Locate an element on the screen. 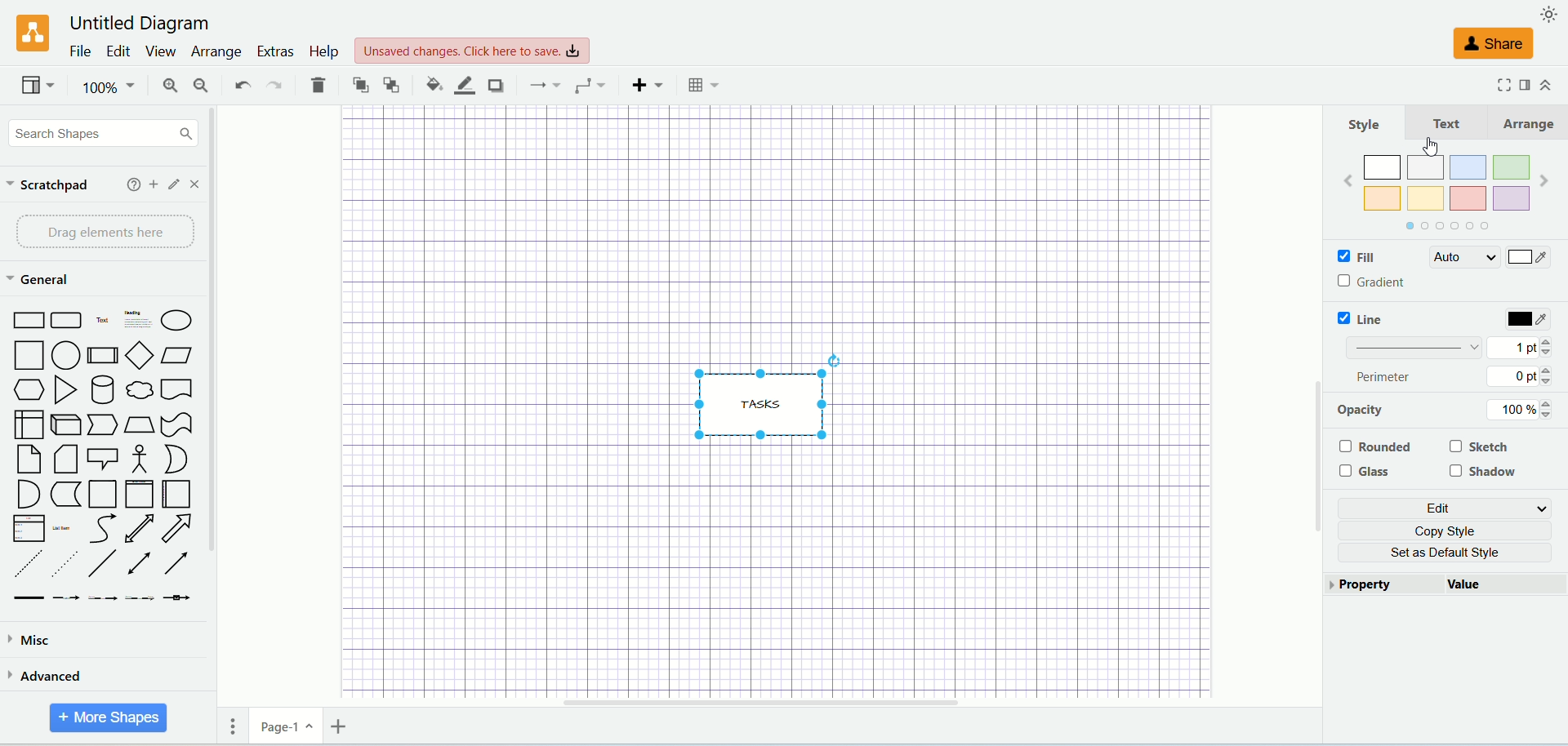 This screenshot has height=746, width=1568. zoom in is located at coordinates (161, 86).